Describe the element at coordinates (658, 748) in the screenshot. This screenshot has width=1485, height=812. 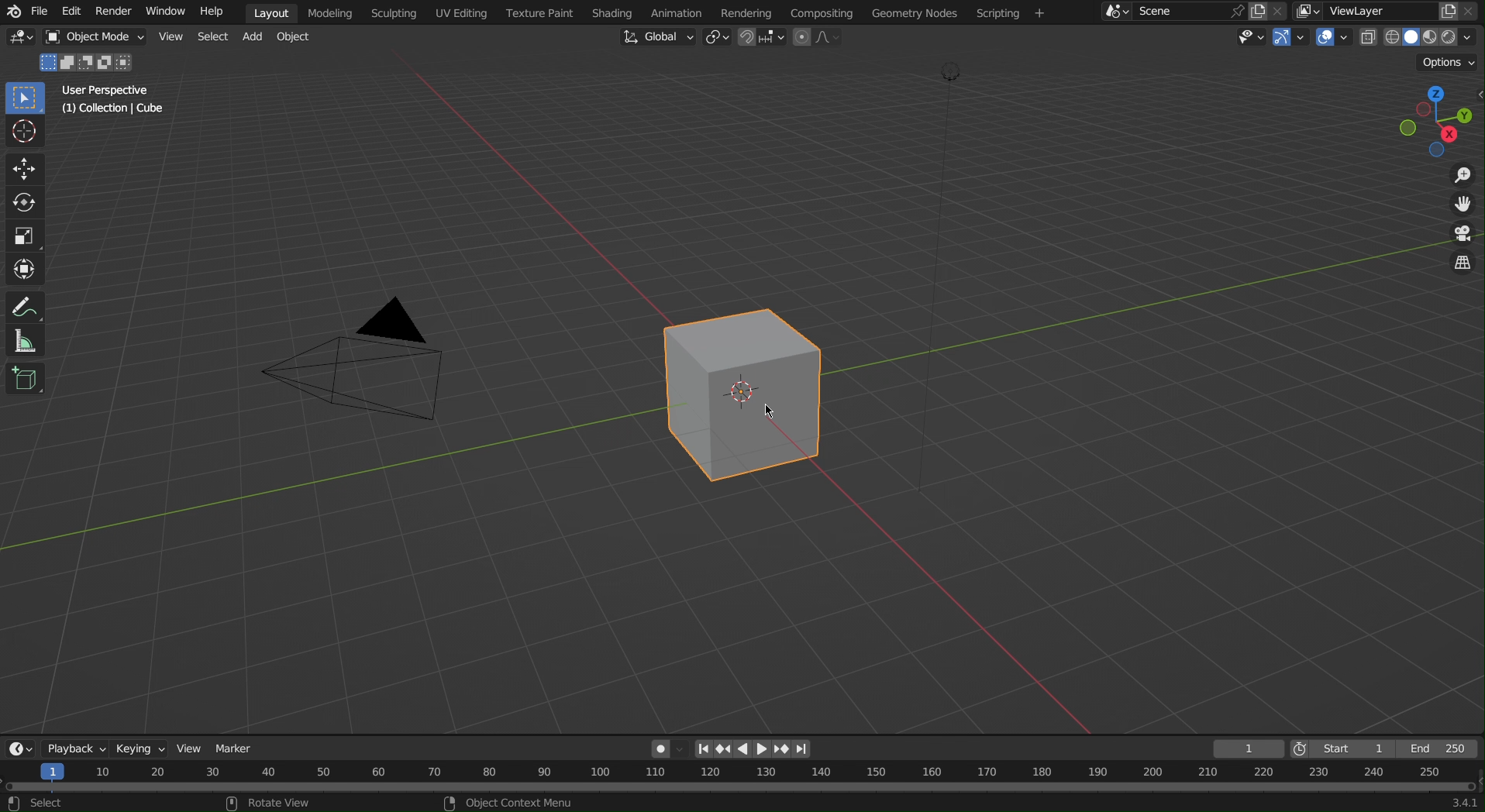
I see `Auto Keying` at that location.